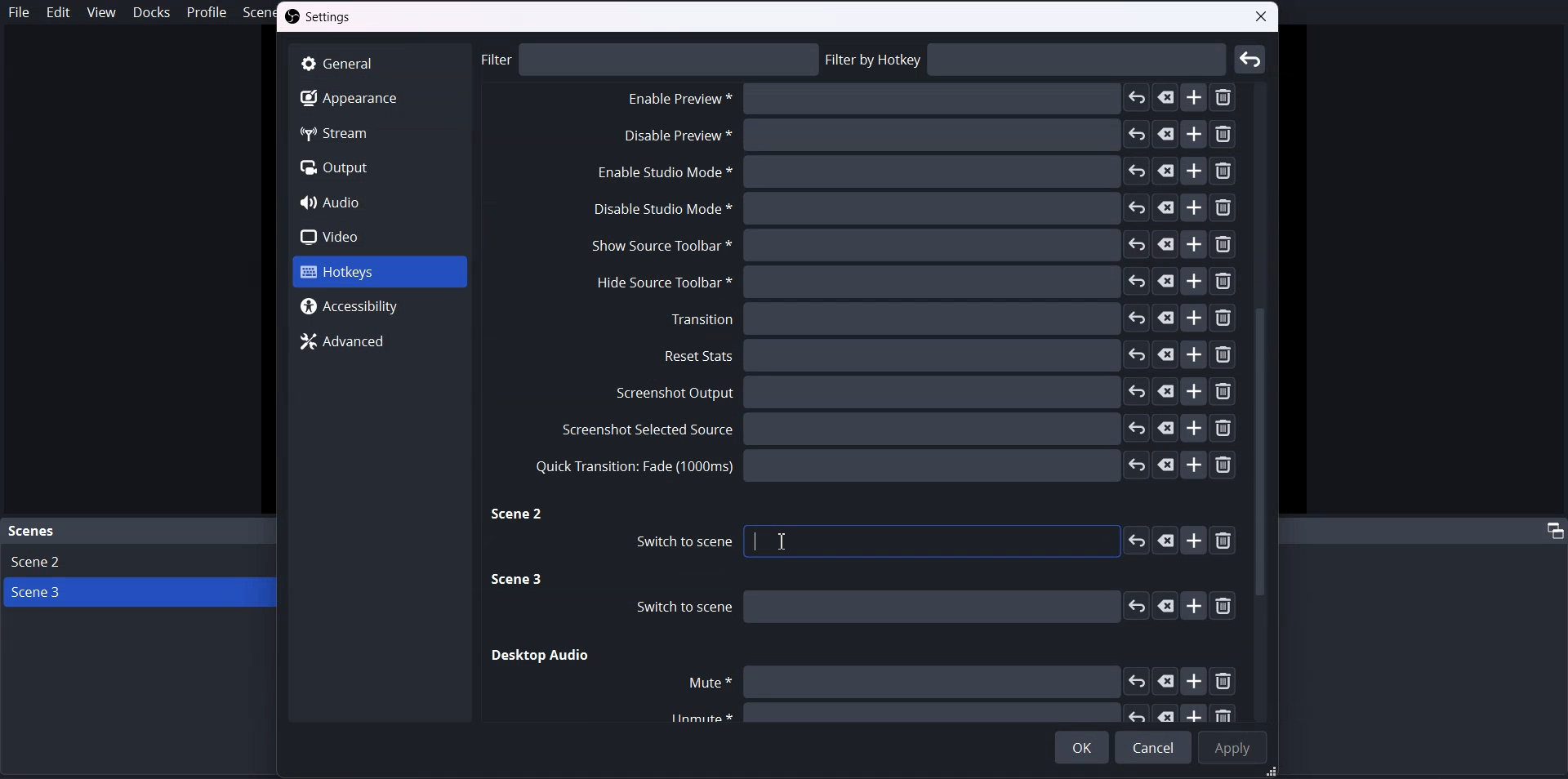  What do you see at coordinates (379, 168) in the screenshot?
I see `Output` at bounding box center [379, 168].